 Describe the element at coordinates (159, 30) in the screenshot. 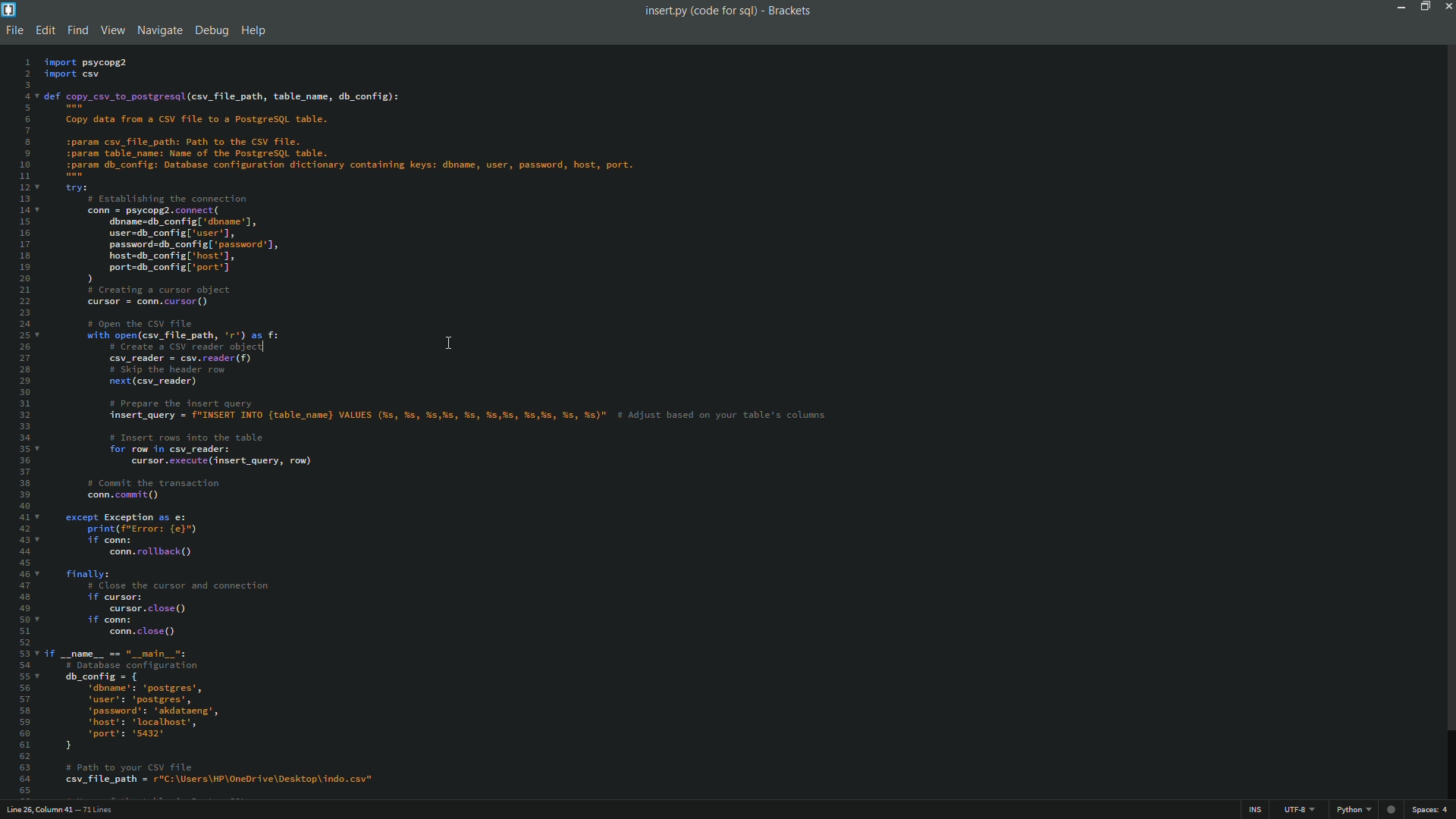

I see `navigate menu` at that location.